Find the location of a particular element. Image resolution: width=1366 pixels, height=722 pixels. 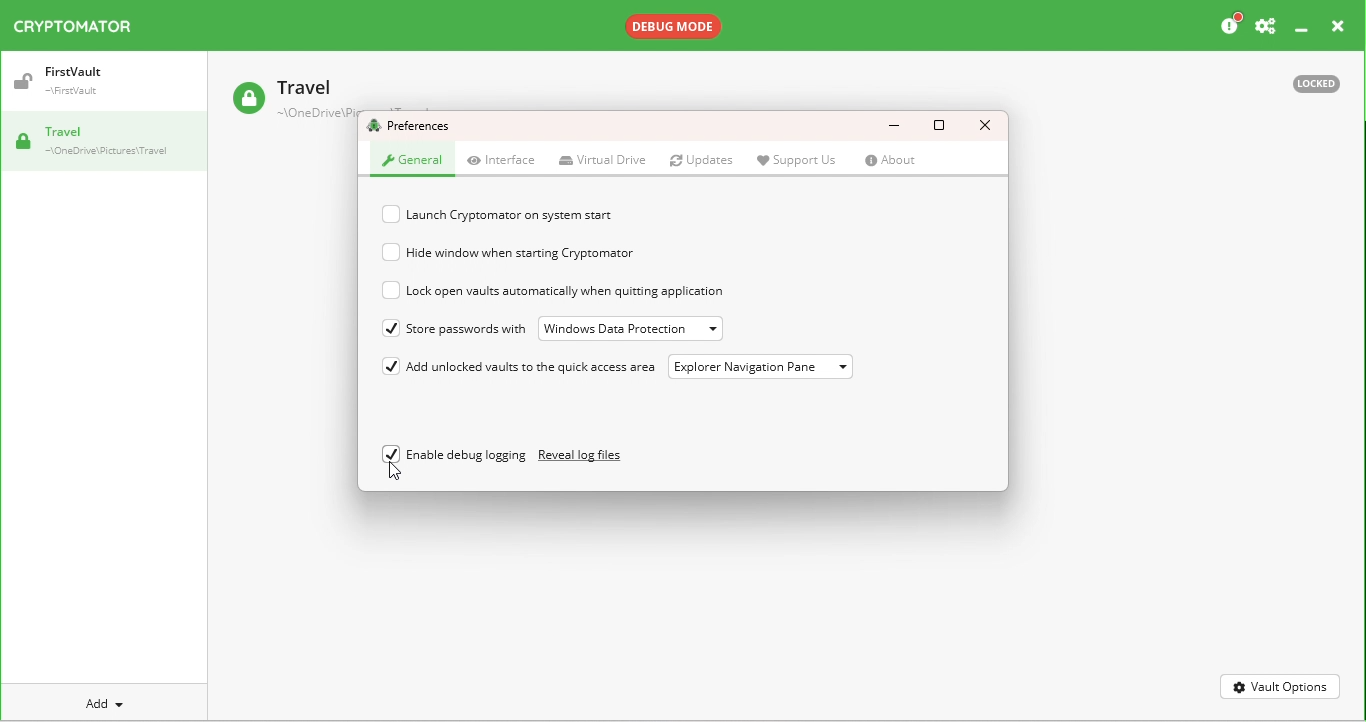

Interface is located at coordinates (504, 161).